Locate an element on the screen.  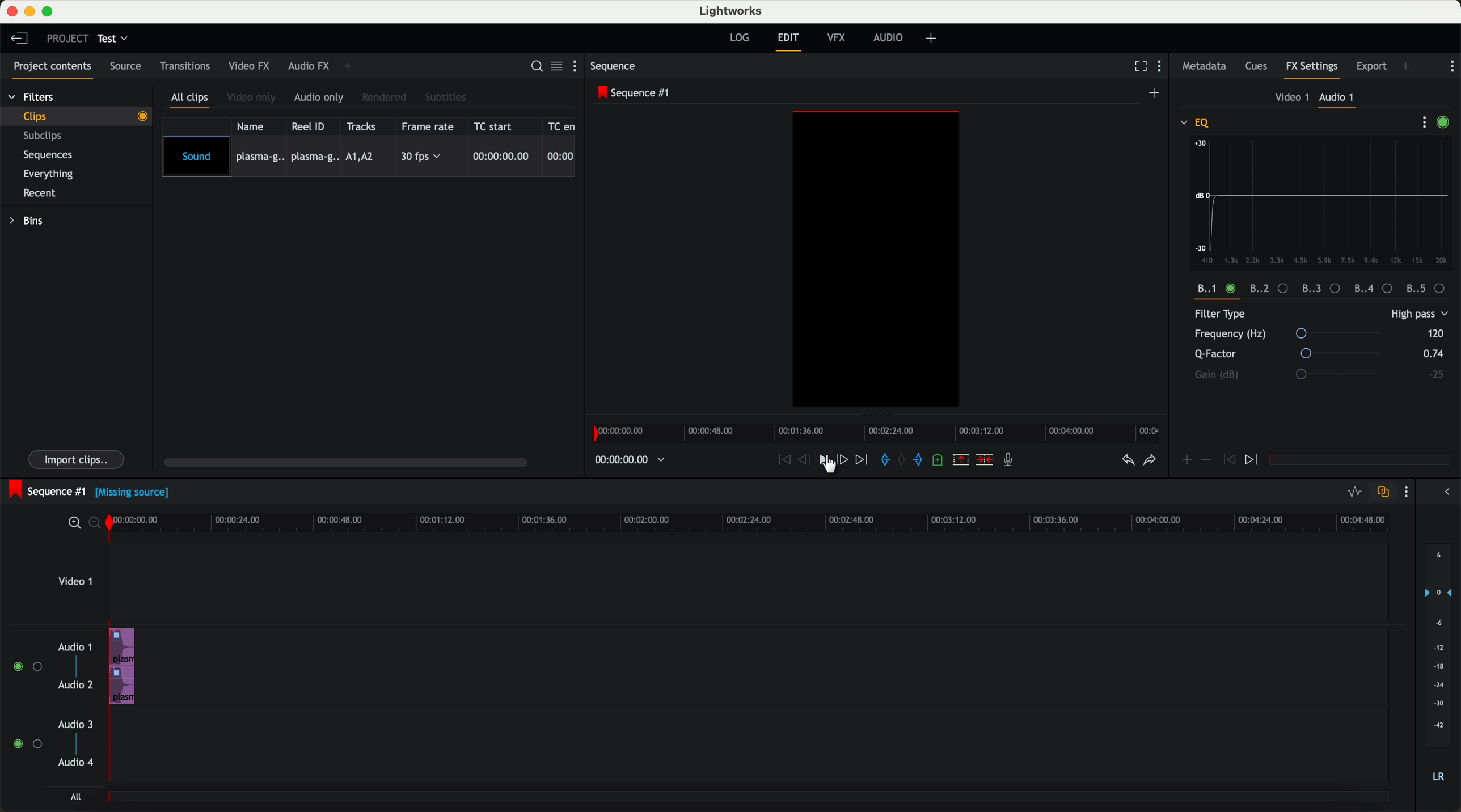
name is located at coordinates (254, 126).